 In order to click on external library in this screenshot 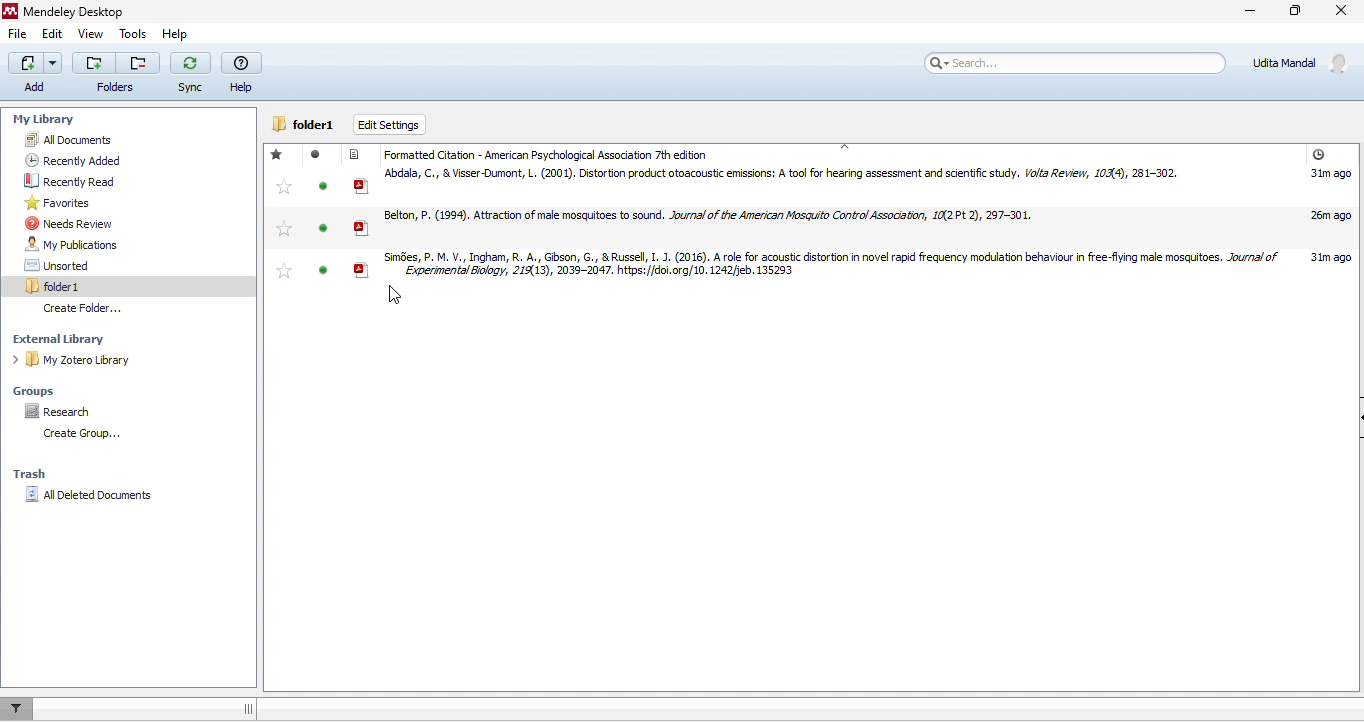, I will do `click(89, 339)`.